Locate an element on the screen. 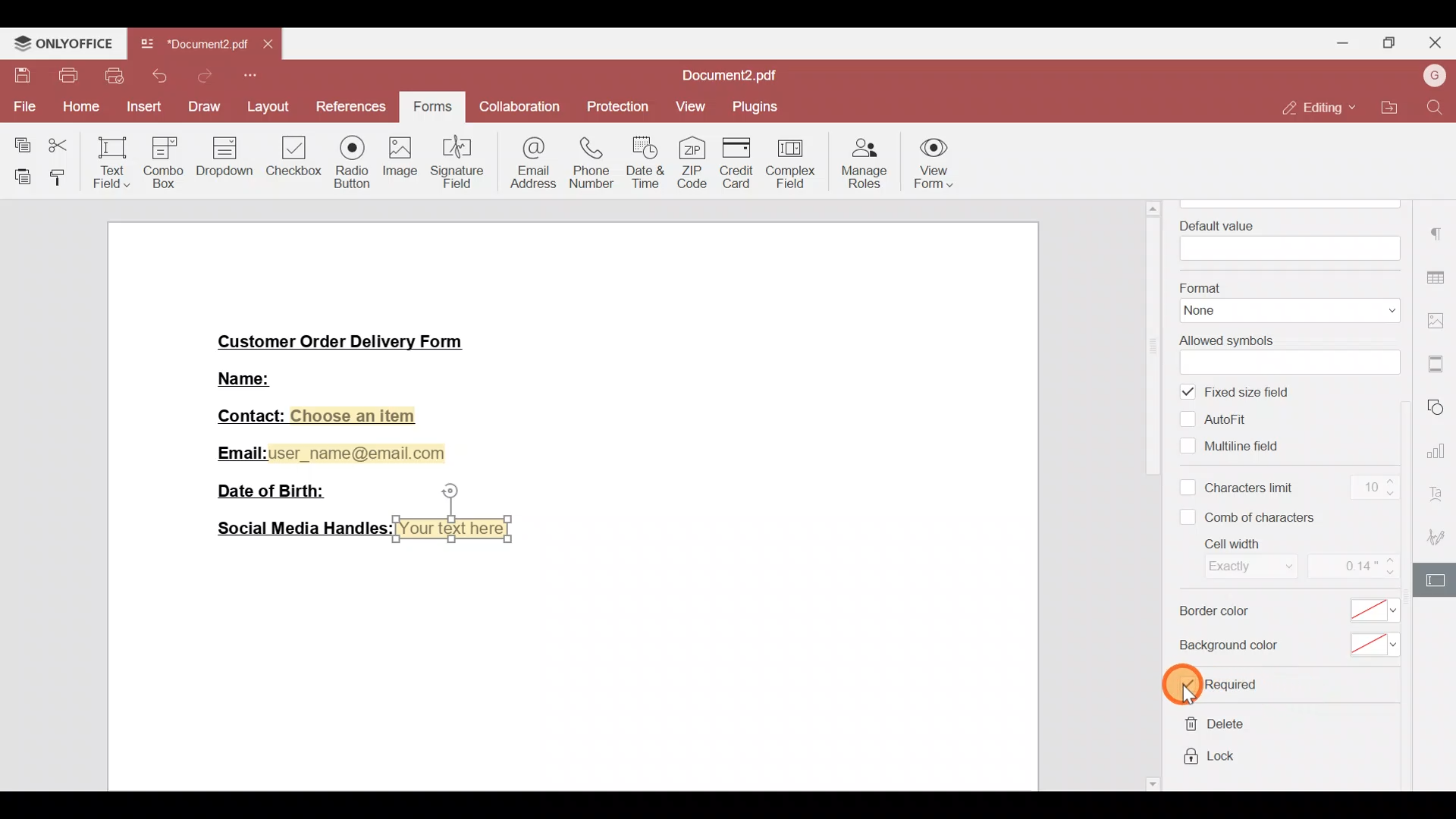  Required is located at coordinates (1222, 686).